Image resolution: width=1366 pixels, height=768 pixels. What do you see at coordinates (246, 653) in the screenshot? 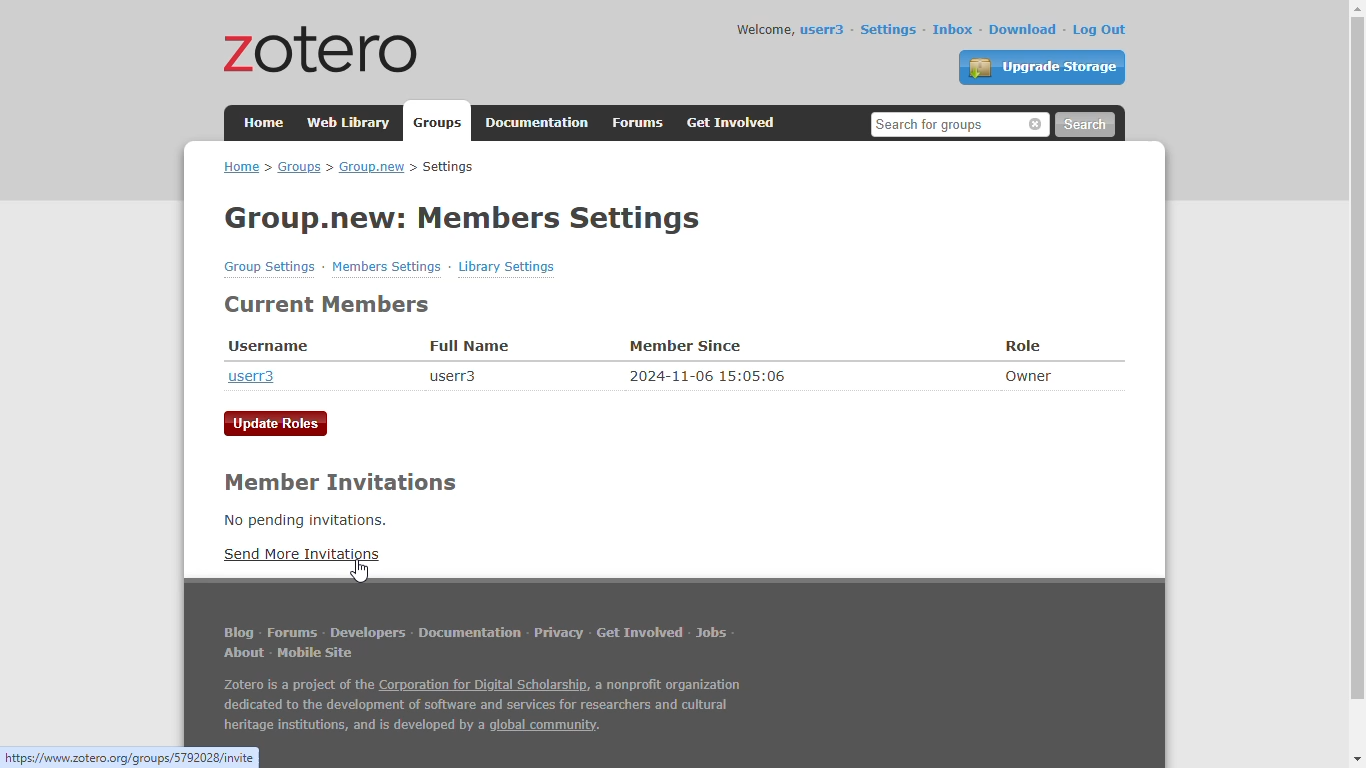
I see `about` at bounding box center [246, 653].